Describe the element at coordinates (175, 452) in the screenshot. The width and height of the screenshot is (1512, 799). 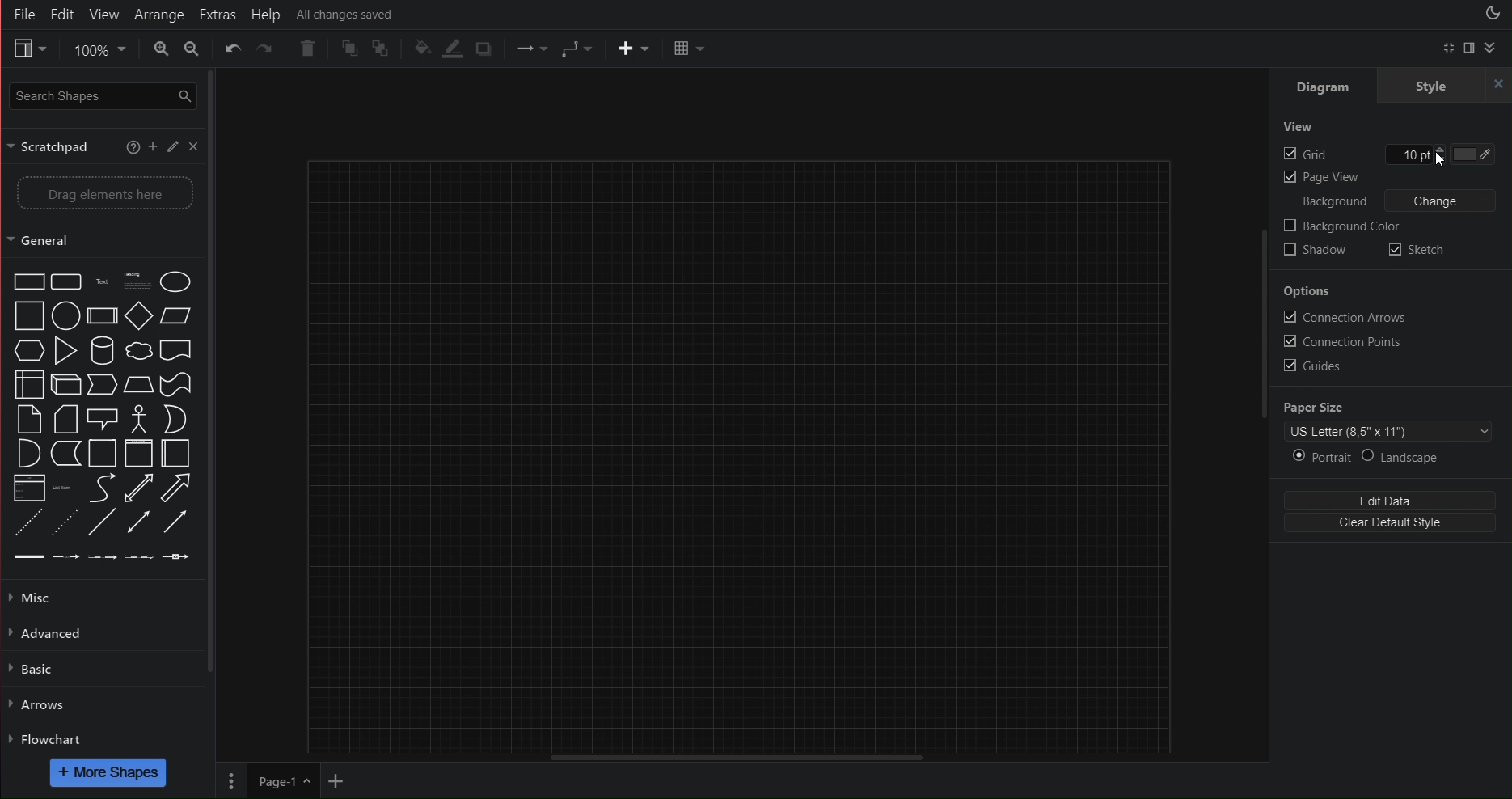
I see `side header` at that location.